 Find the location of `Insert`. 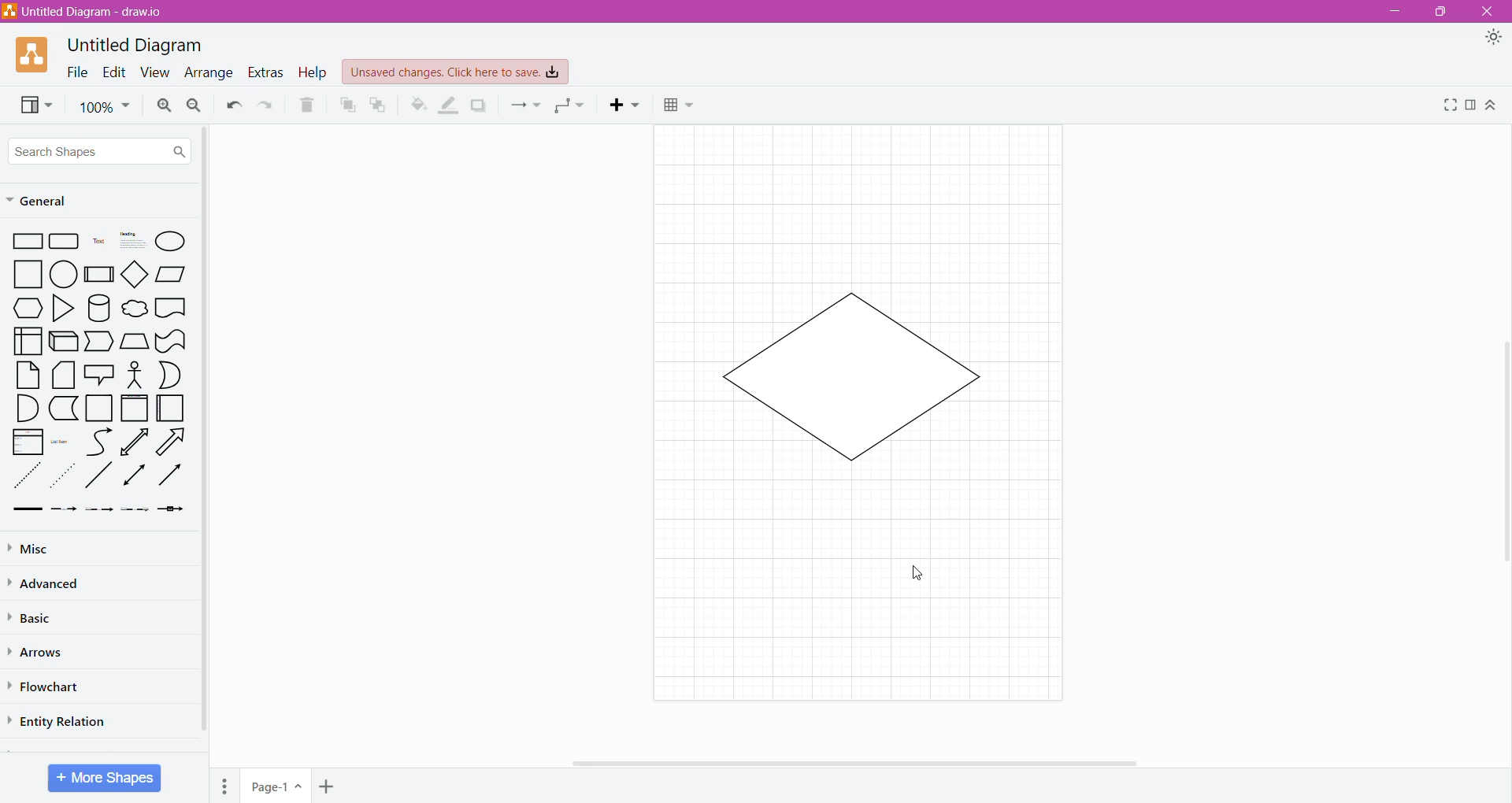

Insert is located at coordinates (623, 105).